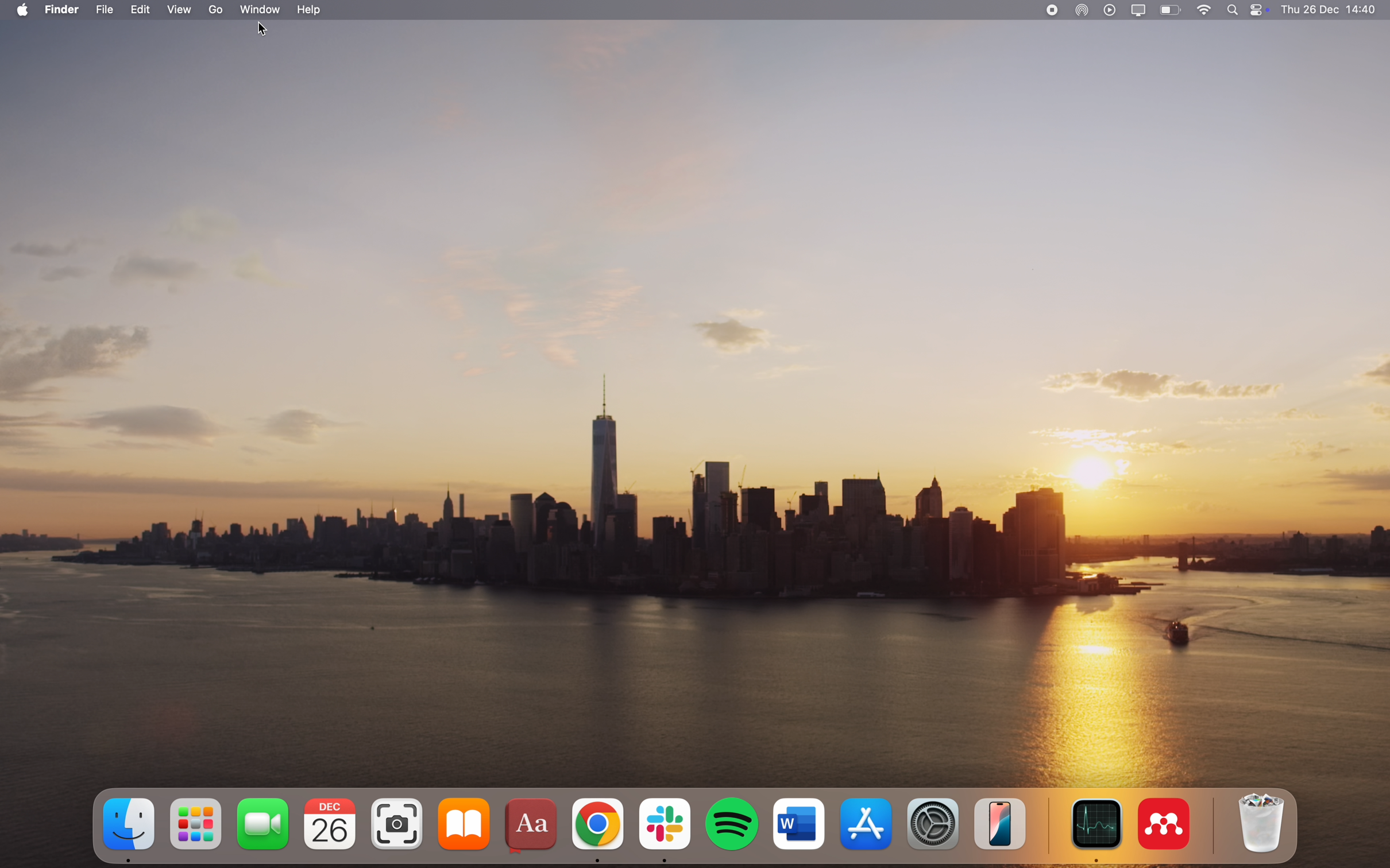 This screenshot has width=1390, height=868. Describe the element at coordinates (196, 826) in the screenshot. I see `Launchpad` at that location.